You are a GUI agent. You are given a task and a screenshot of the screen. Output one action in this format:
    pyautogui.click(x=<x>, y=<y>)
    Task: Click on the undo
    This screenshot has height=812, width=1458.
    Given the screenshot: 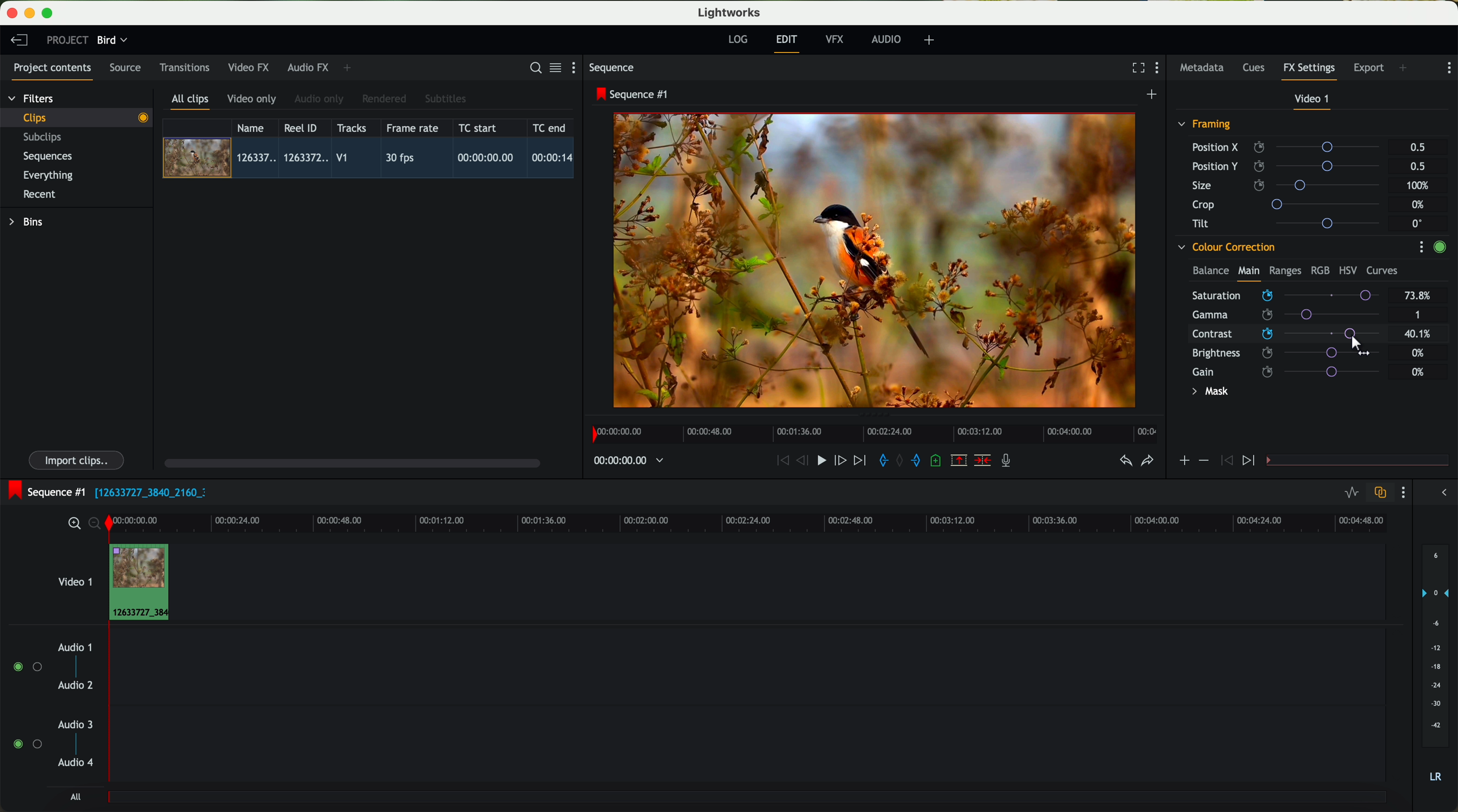 What is the action you would take?
    pyautogui.click(x=1125, y=461)
    